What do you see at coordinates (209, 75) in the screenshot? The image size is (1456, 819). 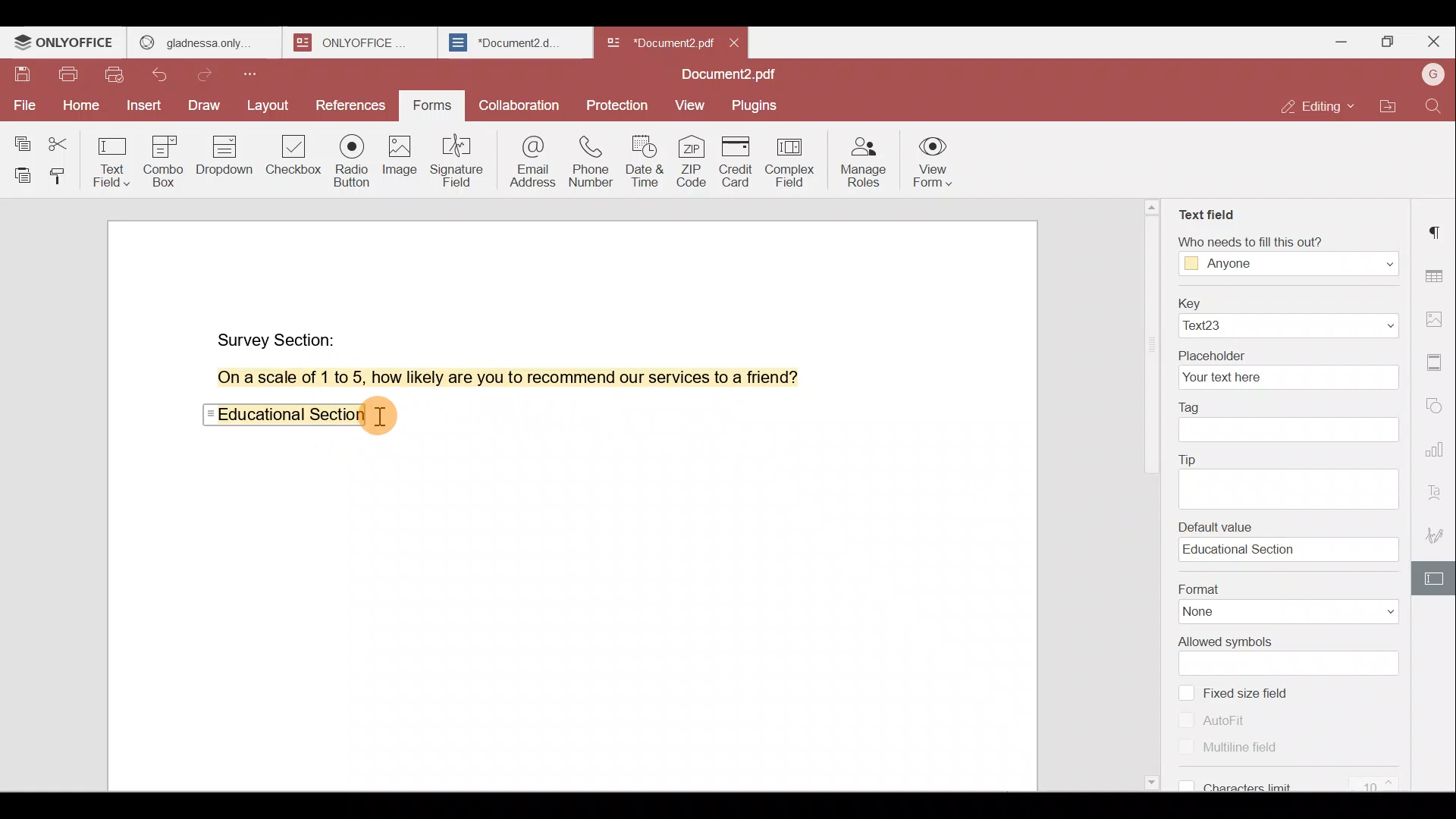 I see `Redo` at bounding box center [209, 75].